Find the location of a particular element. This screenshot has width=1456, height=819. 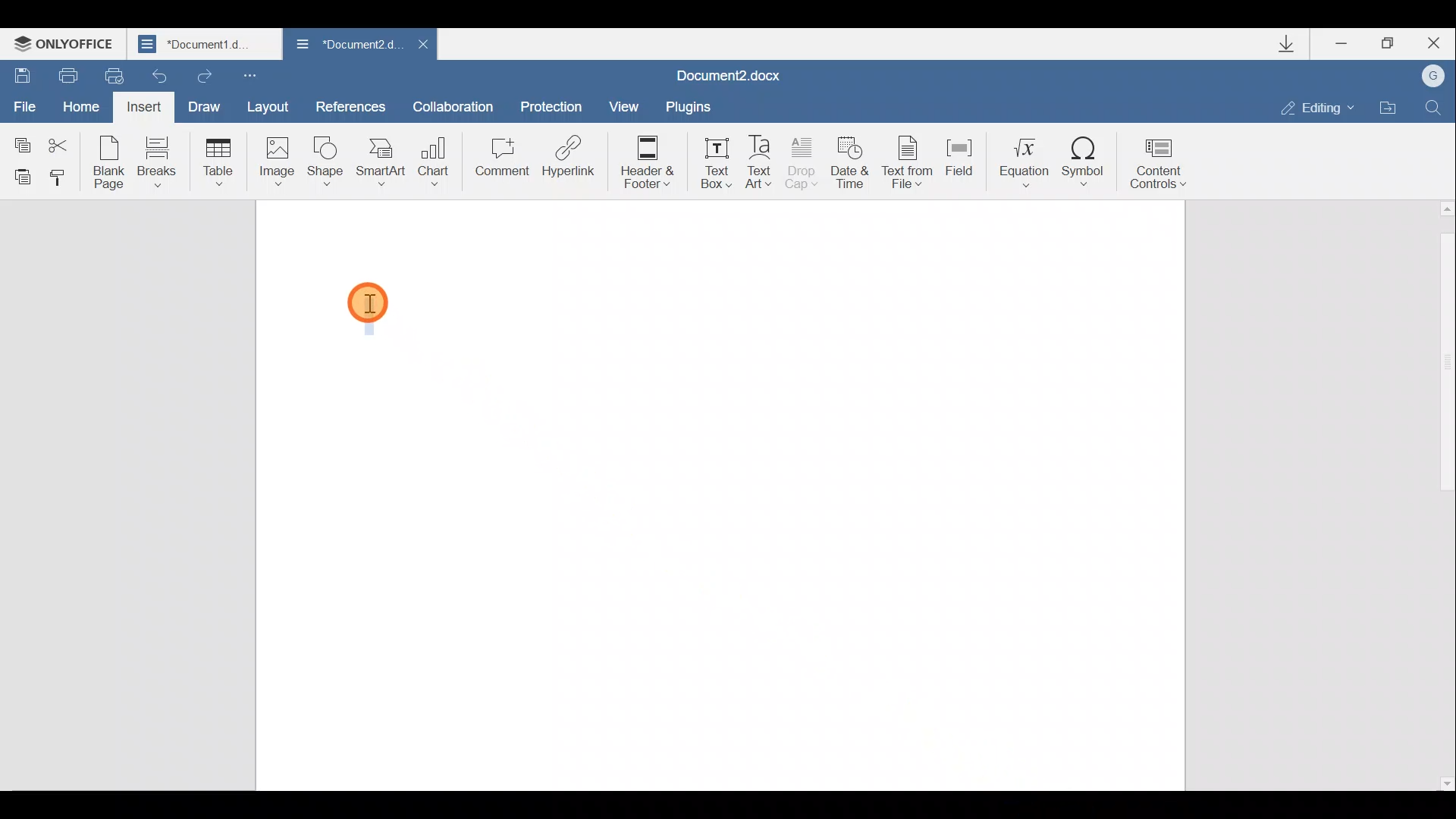

Document2.docx is located at coordinates (729, 75).